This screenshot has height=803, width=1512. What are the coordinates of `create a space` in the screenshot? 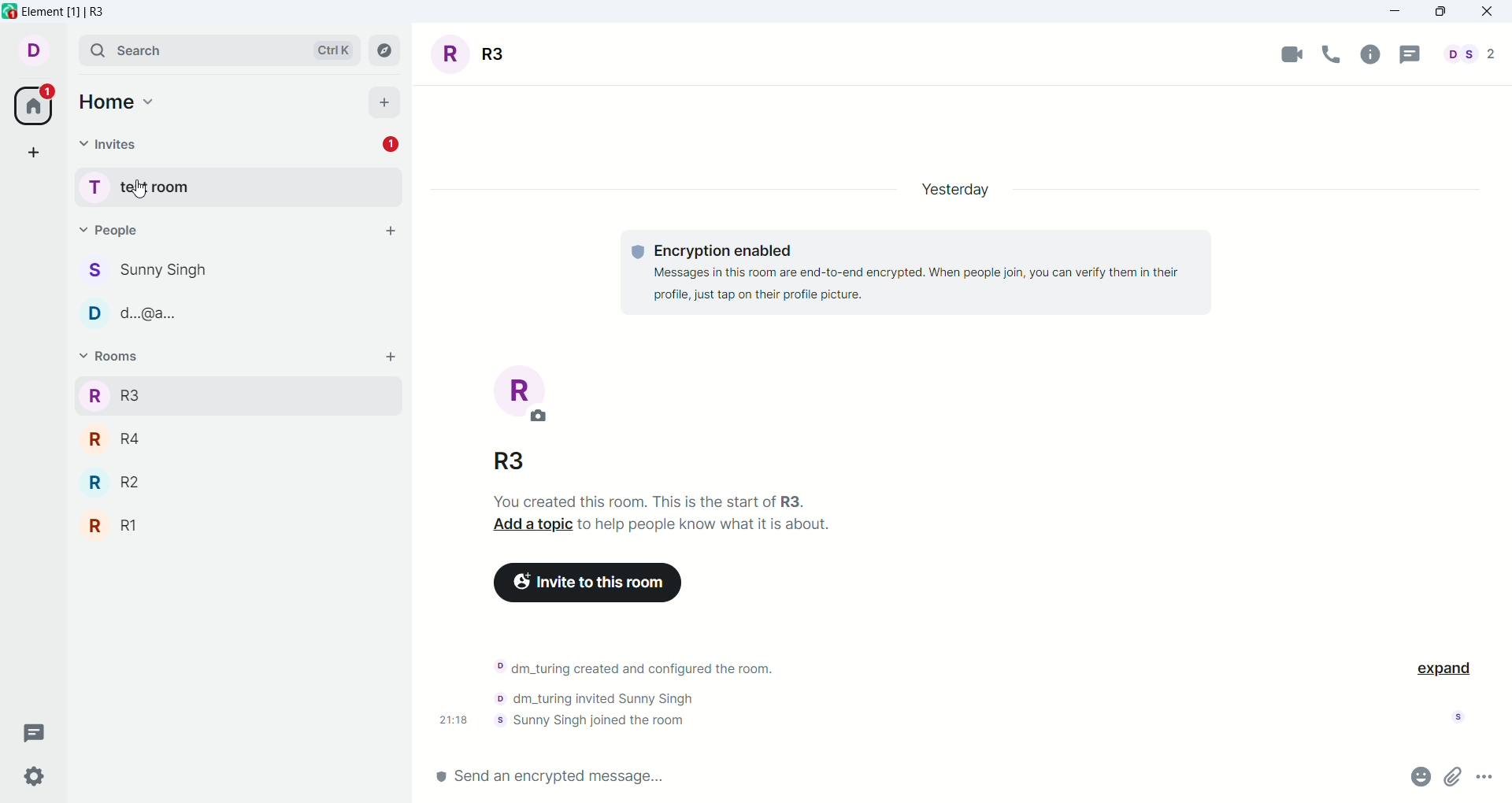 It's located at (34, 151).